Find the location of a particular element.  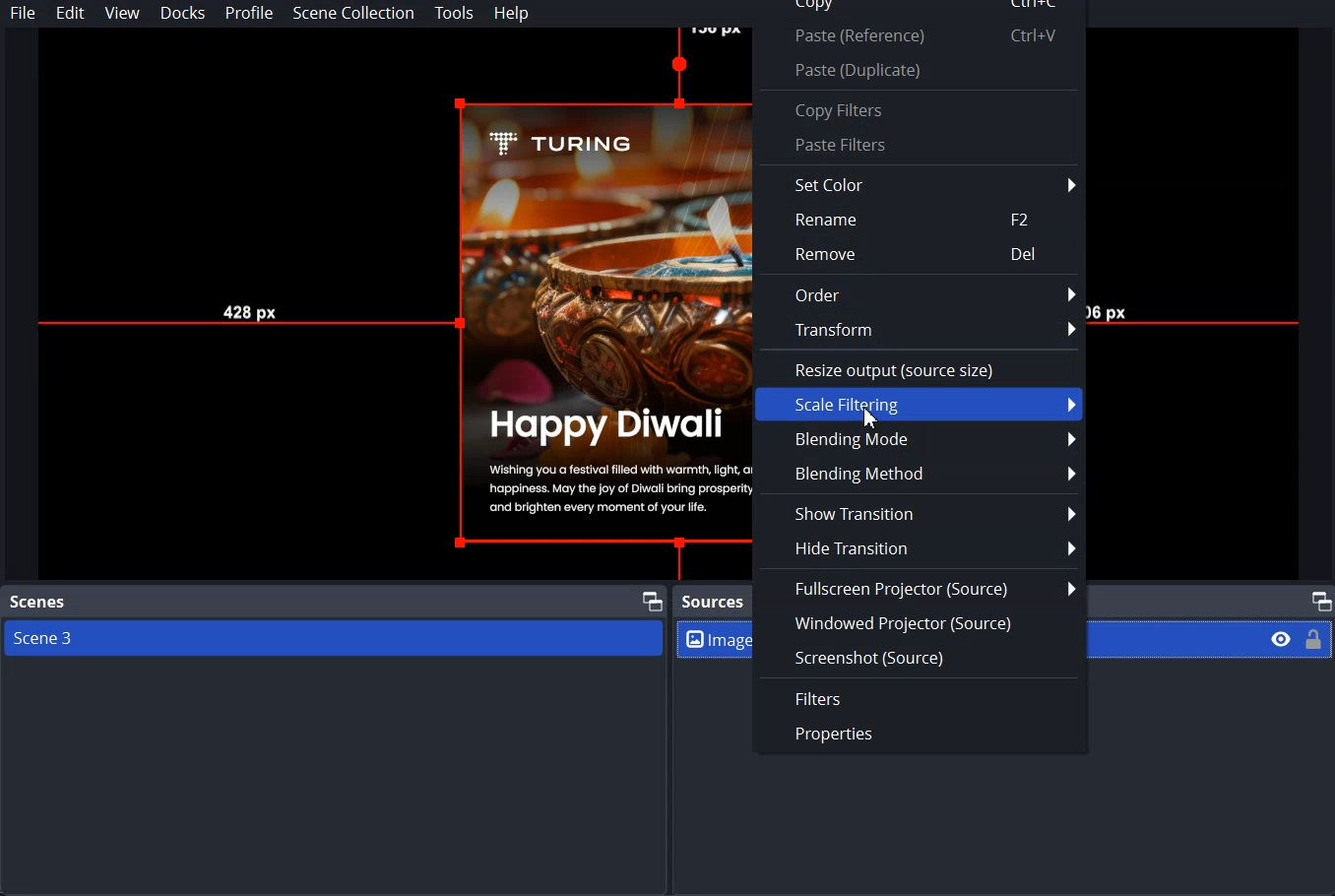

Screenshots is located at coordinates (920, 656).